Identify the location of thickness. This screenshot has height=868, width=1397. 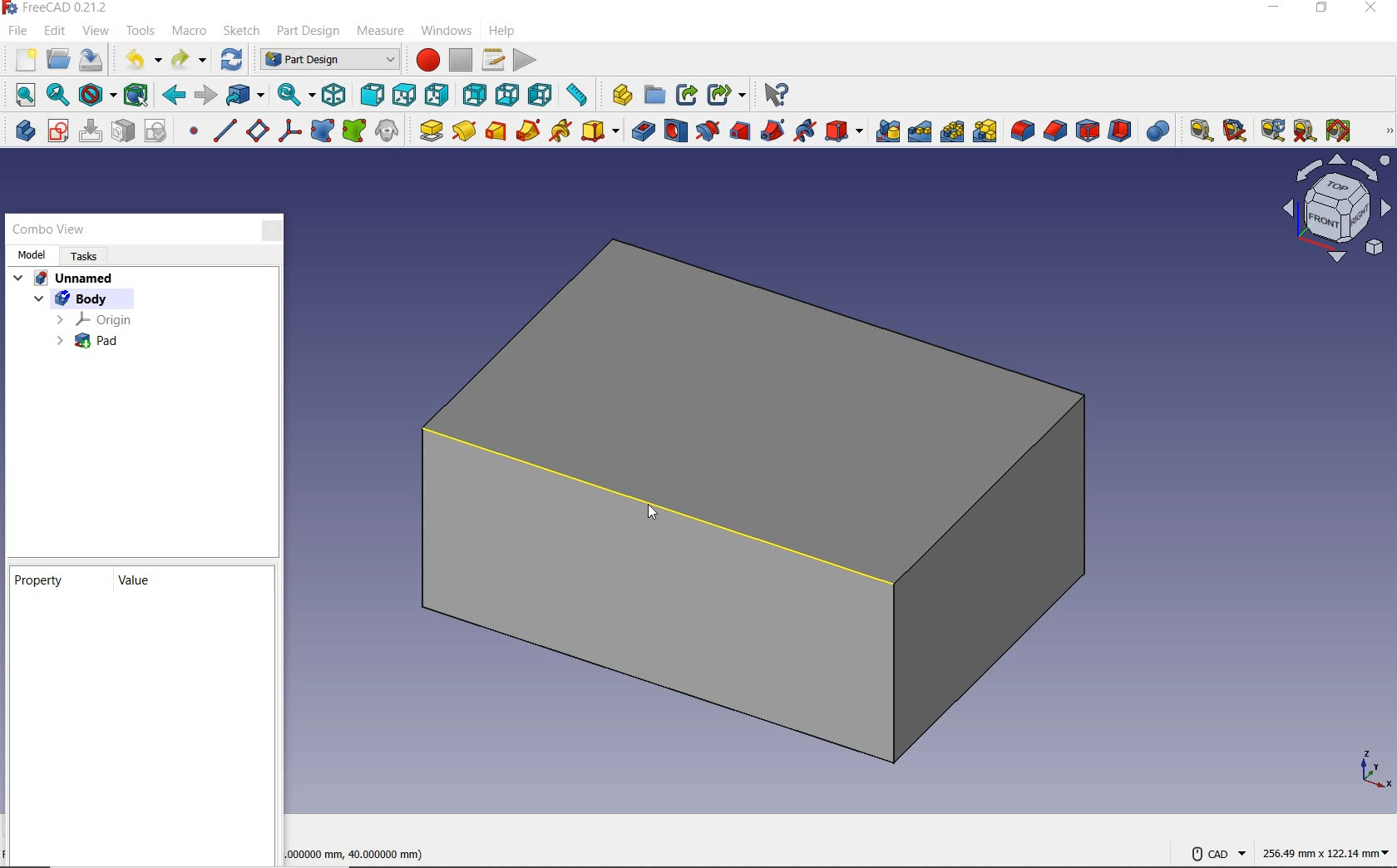
(1120, 131).